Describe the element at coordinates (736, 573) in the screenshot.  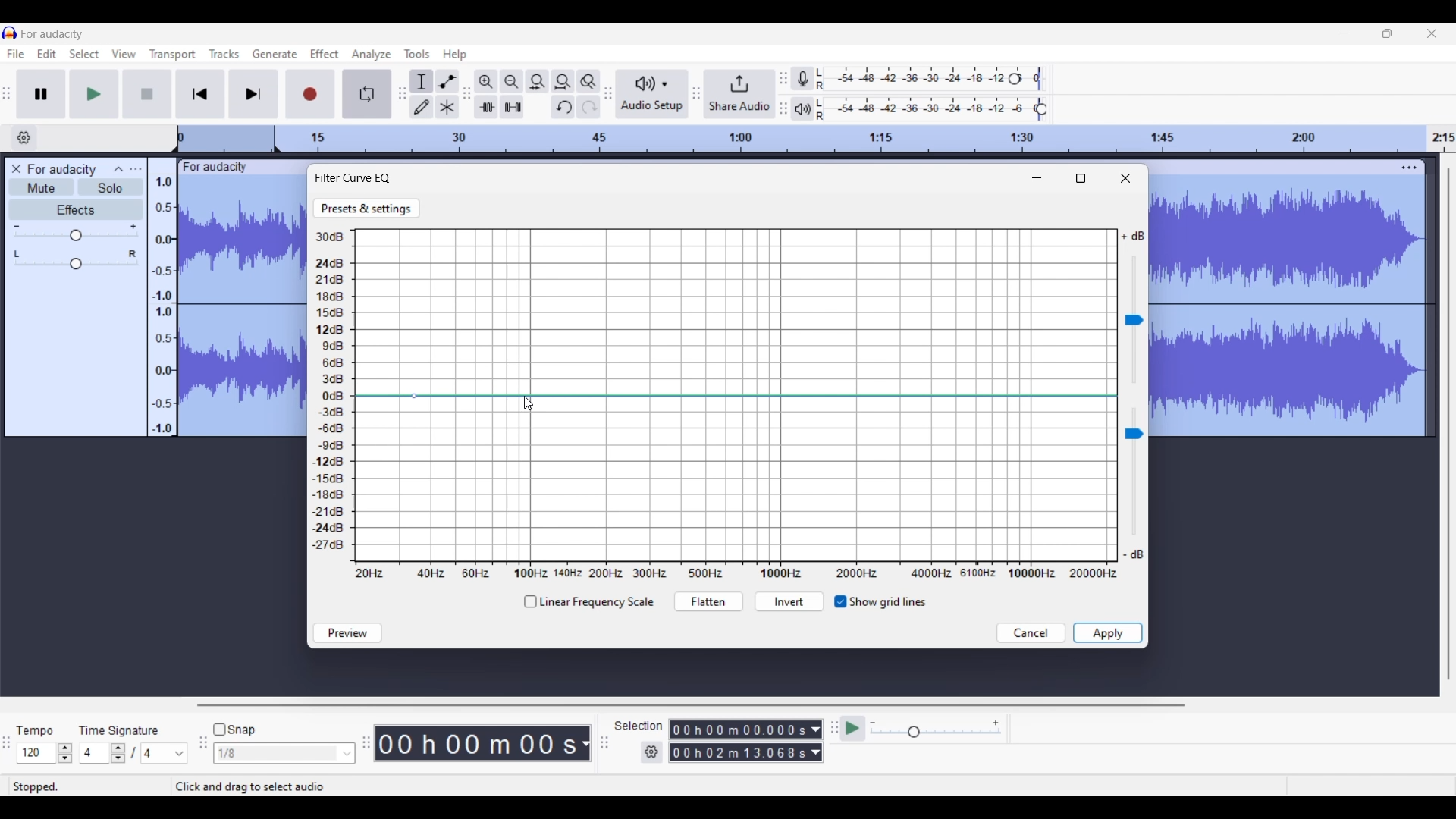
I see `X axis representing Hertz` at that location.